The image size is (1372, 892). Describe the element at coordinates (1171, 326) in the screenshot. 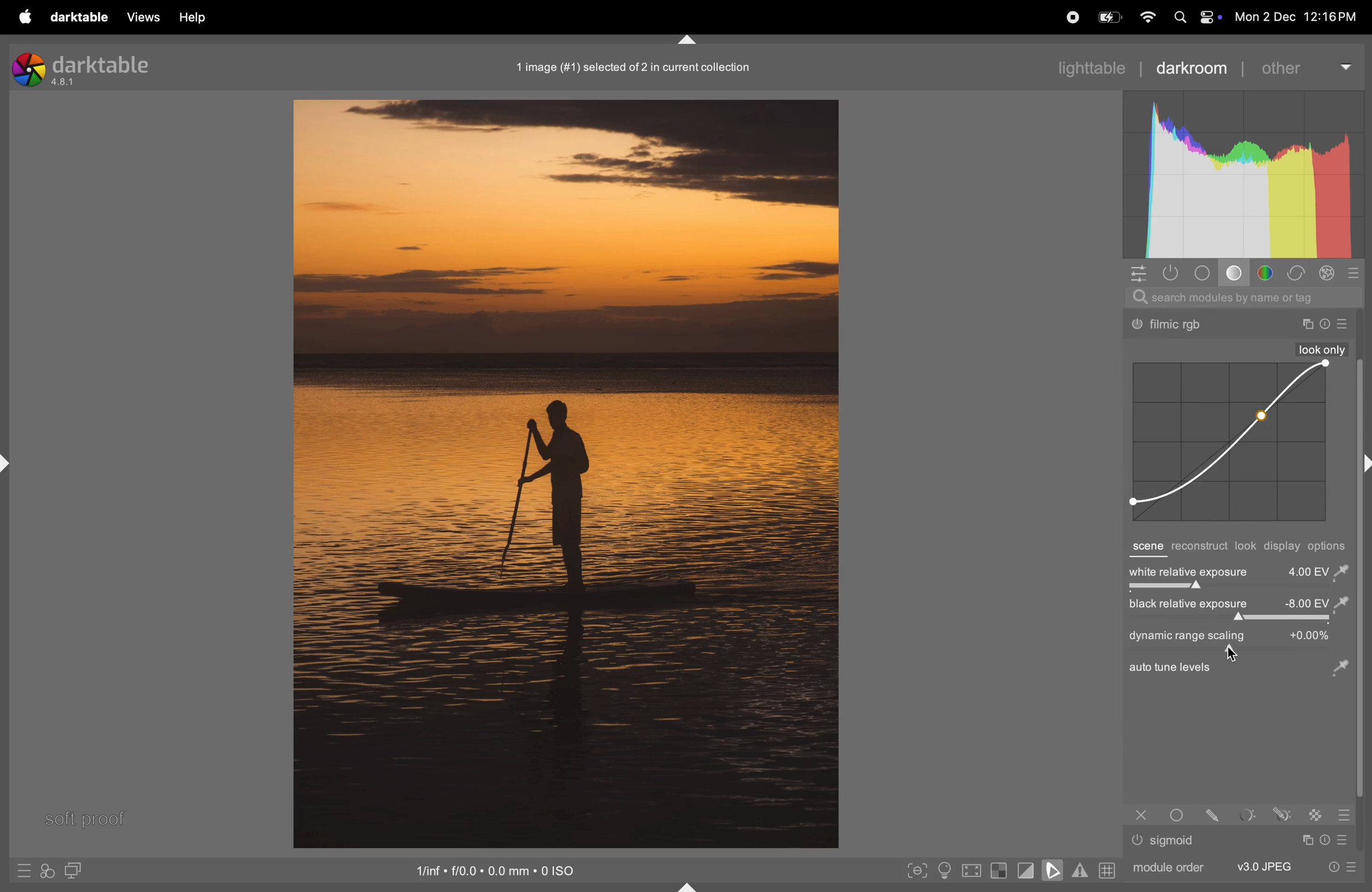

I see `` at that location.